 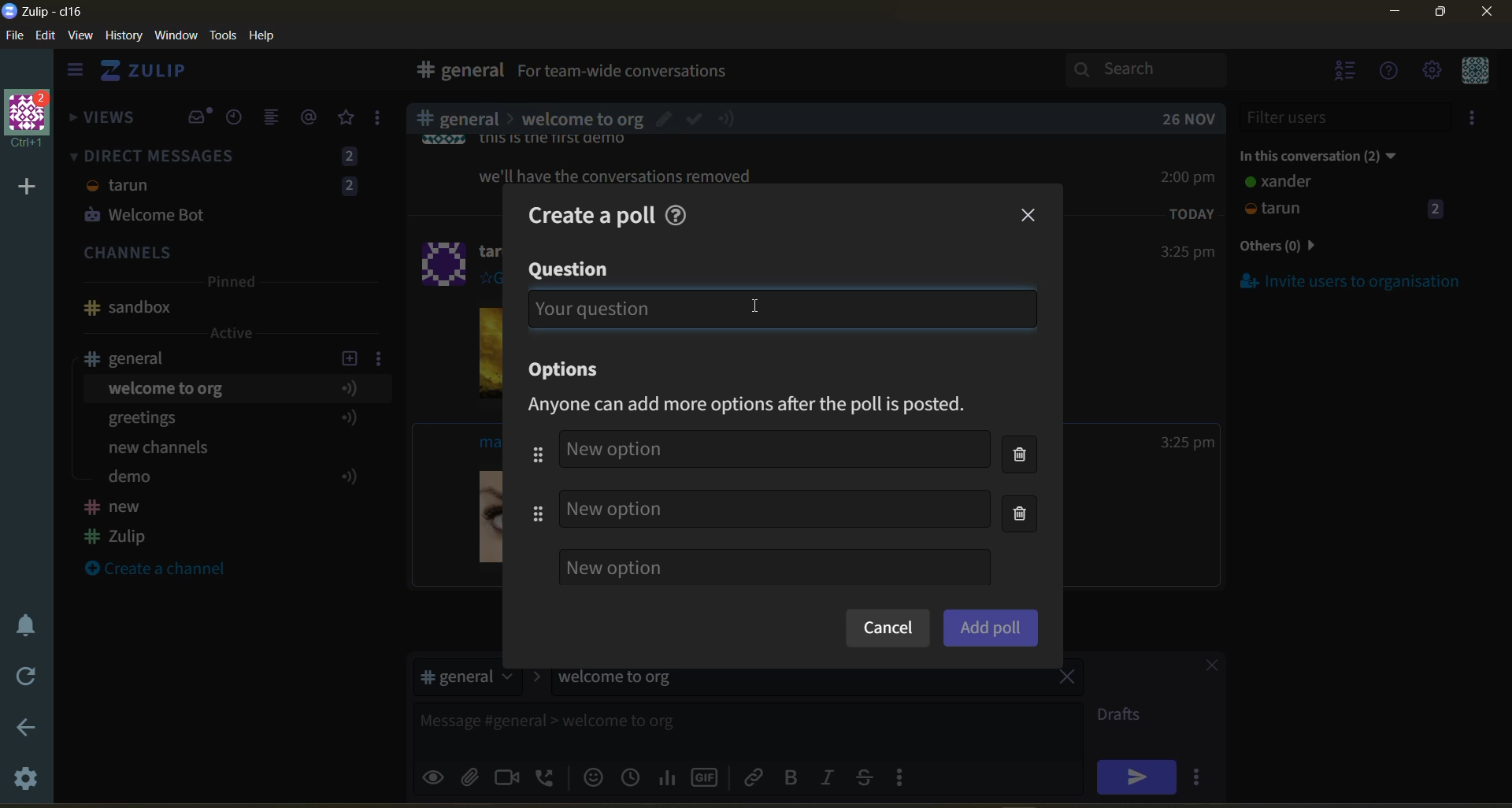 I want to click on add poll, so click(x=991, y=627).